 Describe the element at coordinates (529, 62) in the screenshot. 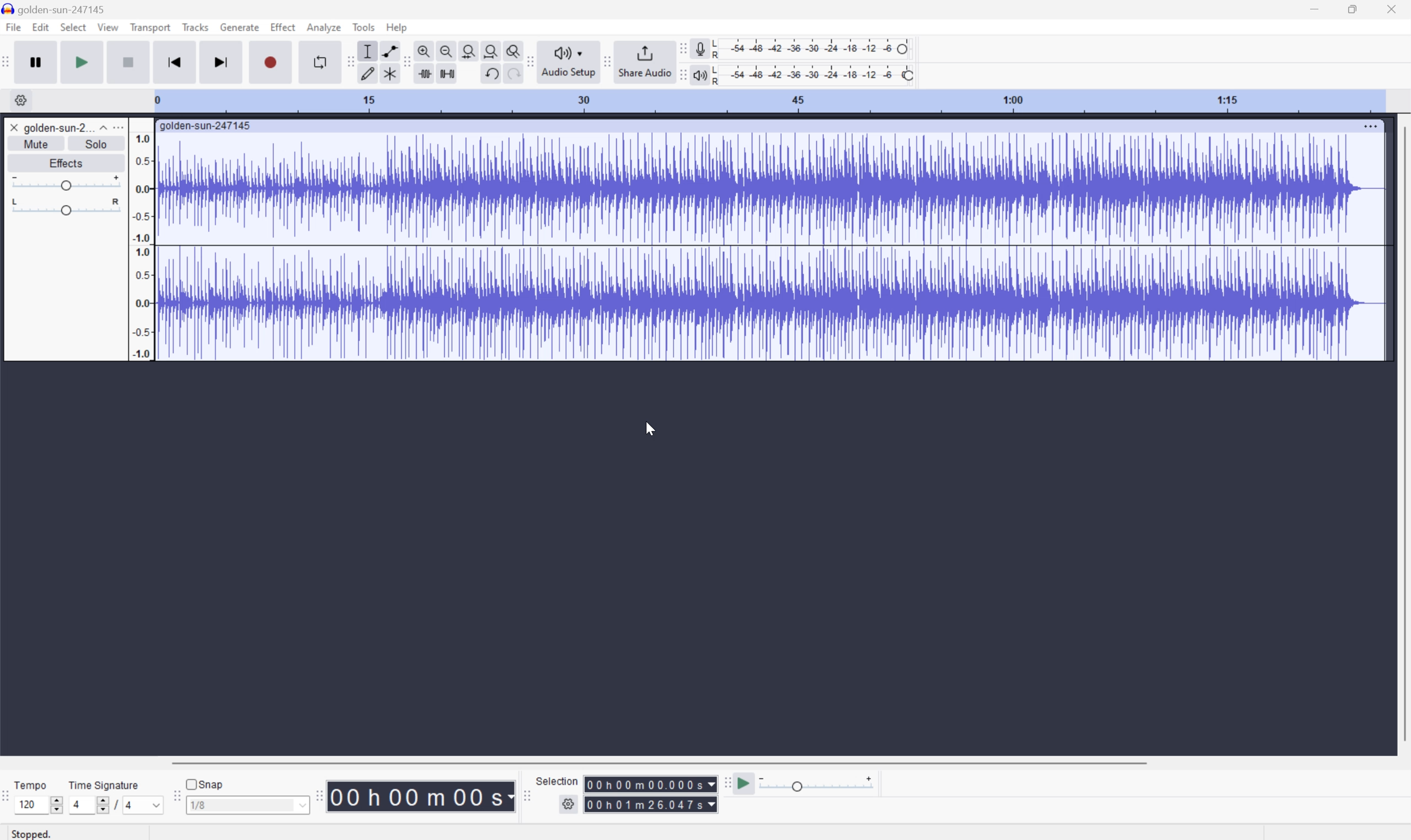

I see `Audacity audio setup toolbar` at that location.